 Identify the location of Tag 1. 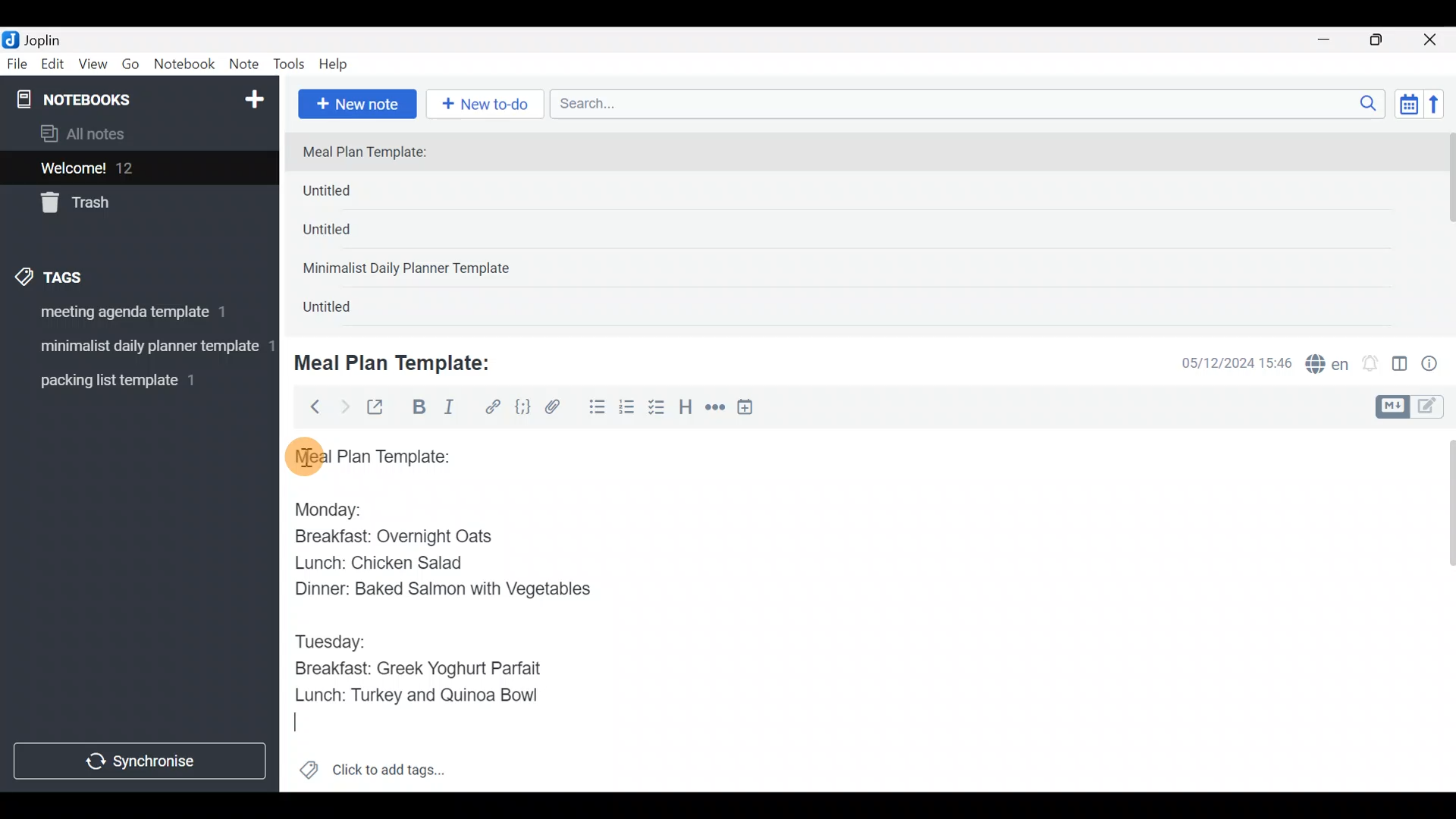
(135, 316).